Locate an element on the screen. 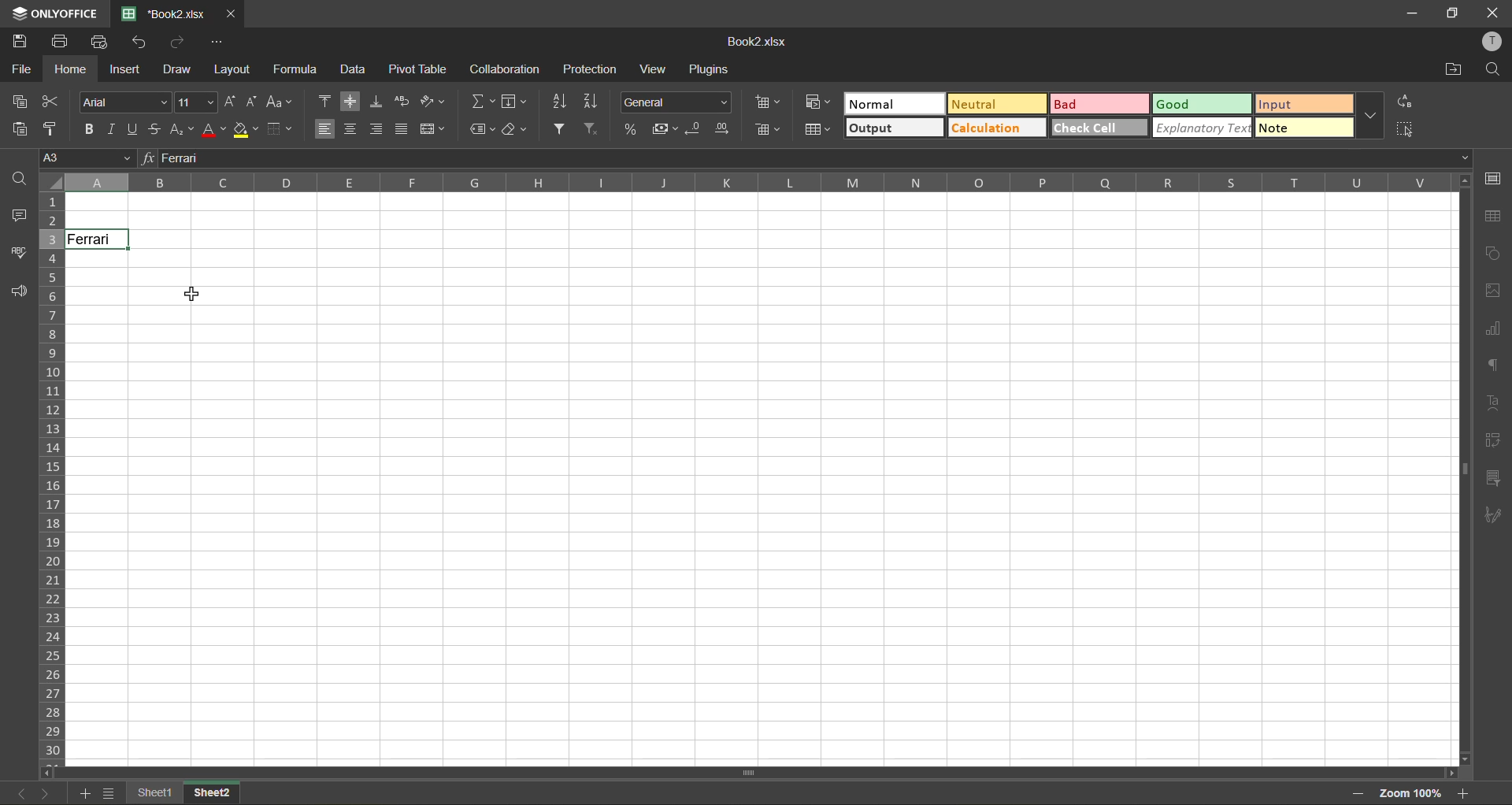  sheet 2 is located at coordinates (224, 793).